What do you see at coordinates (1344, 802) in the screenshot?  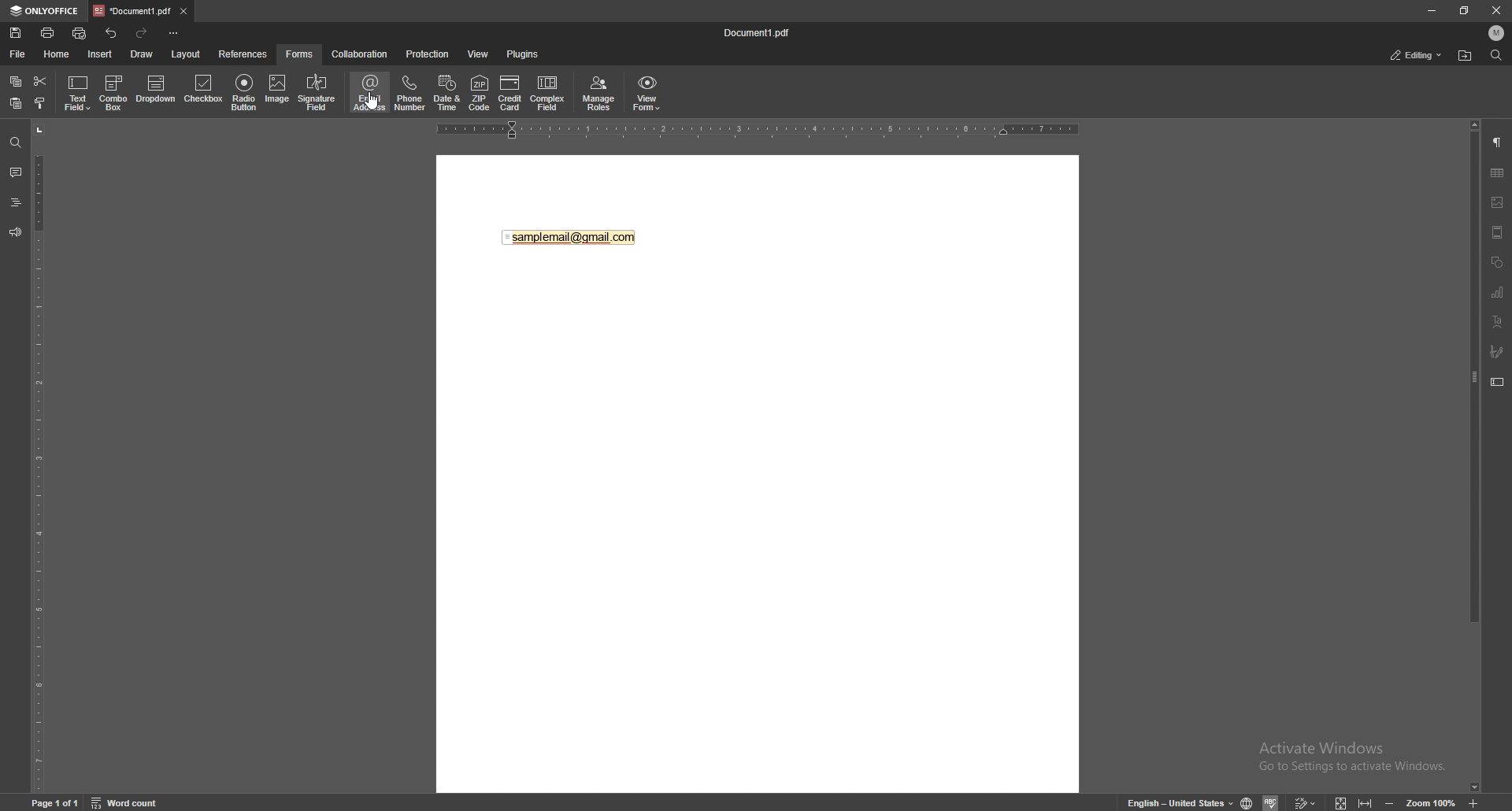 I see `fit to screen` at bounding box center [1344, 802].